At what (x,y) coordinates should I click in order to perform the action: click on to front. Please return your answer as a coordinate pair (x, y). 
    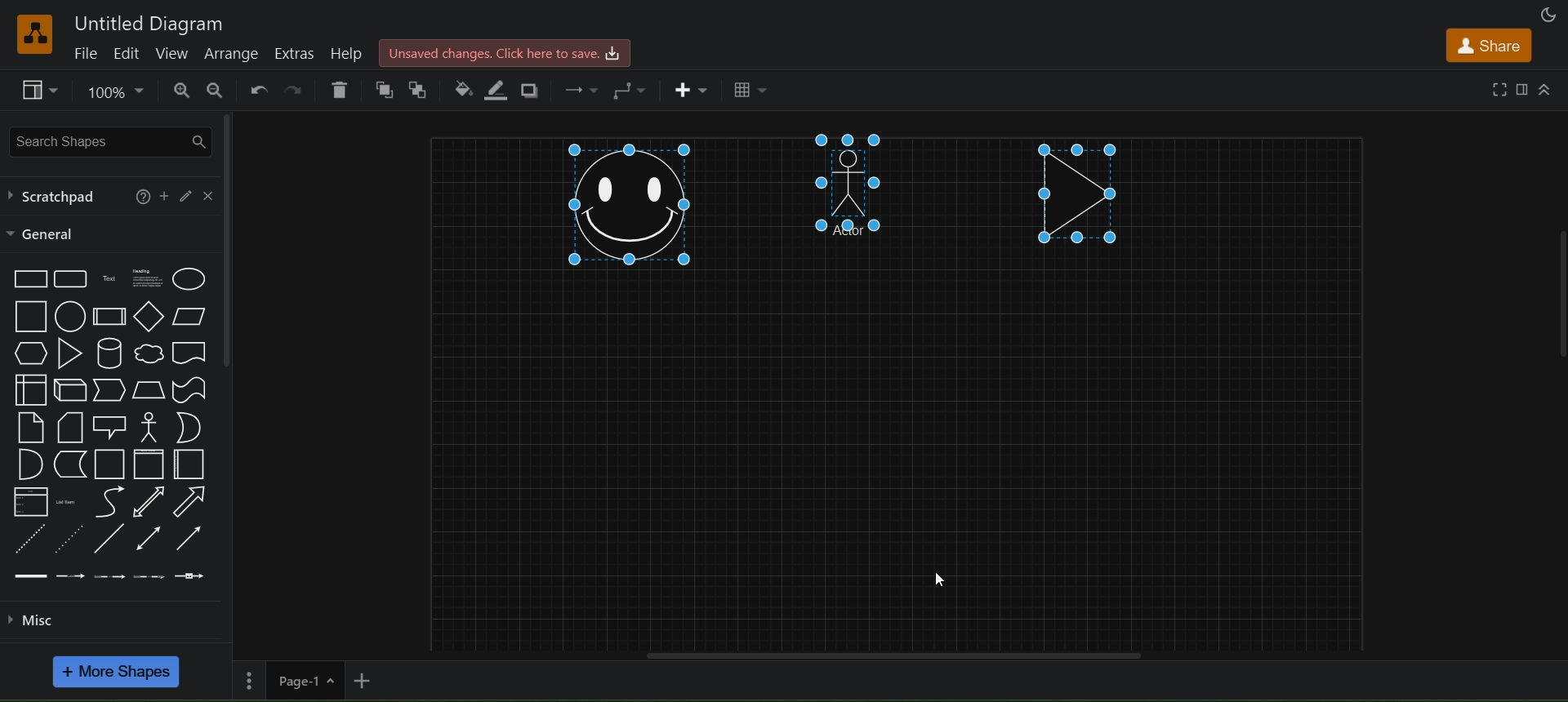
    Looking at the image, I should click on (384, 87).